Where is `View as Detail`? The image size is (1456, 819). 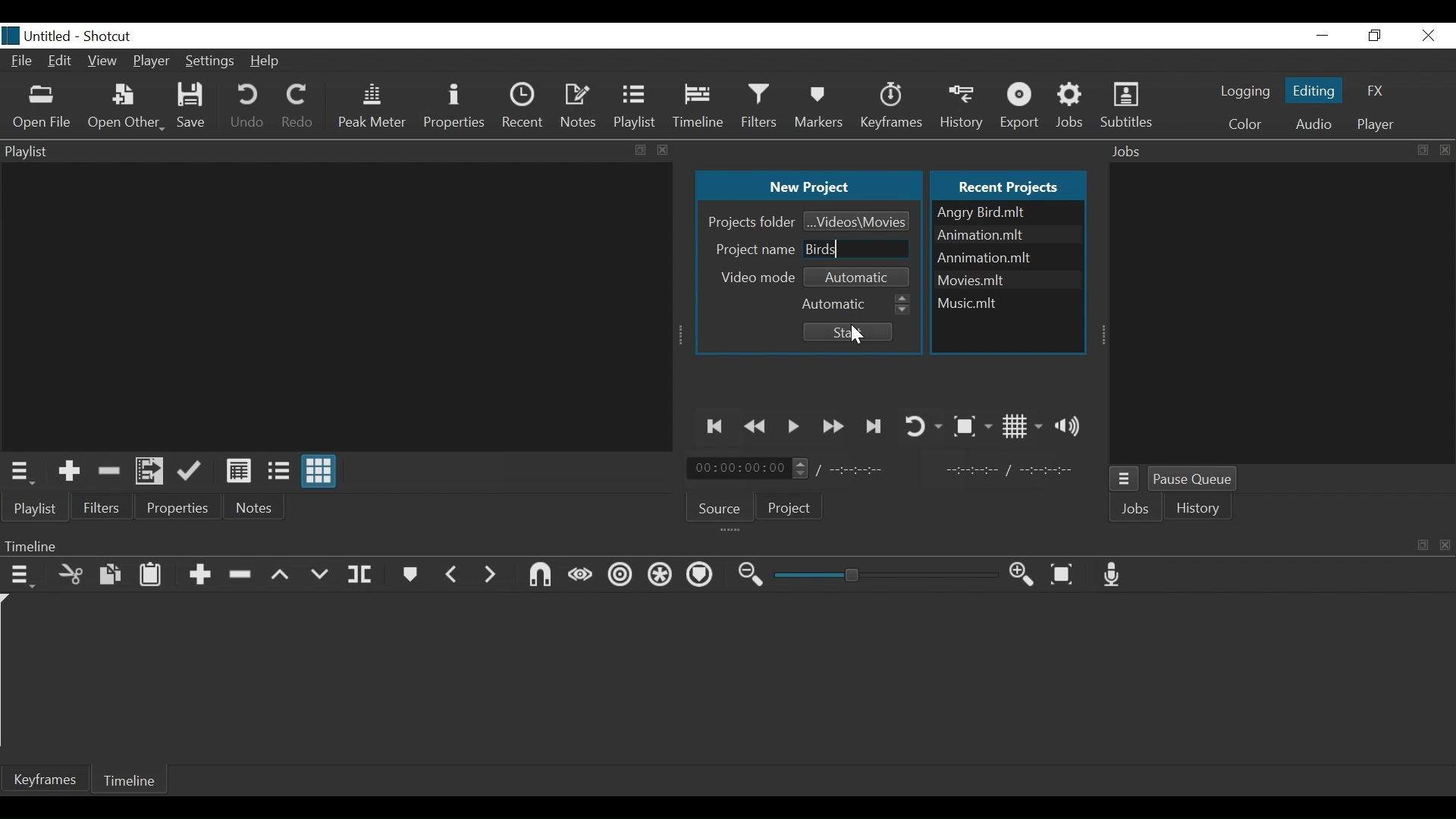 View as Detail is located at coordinates (238, 471).